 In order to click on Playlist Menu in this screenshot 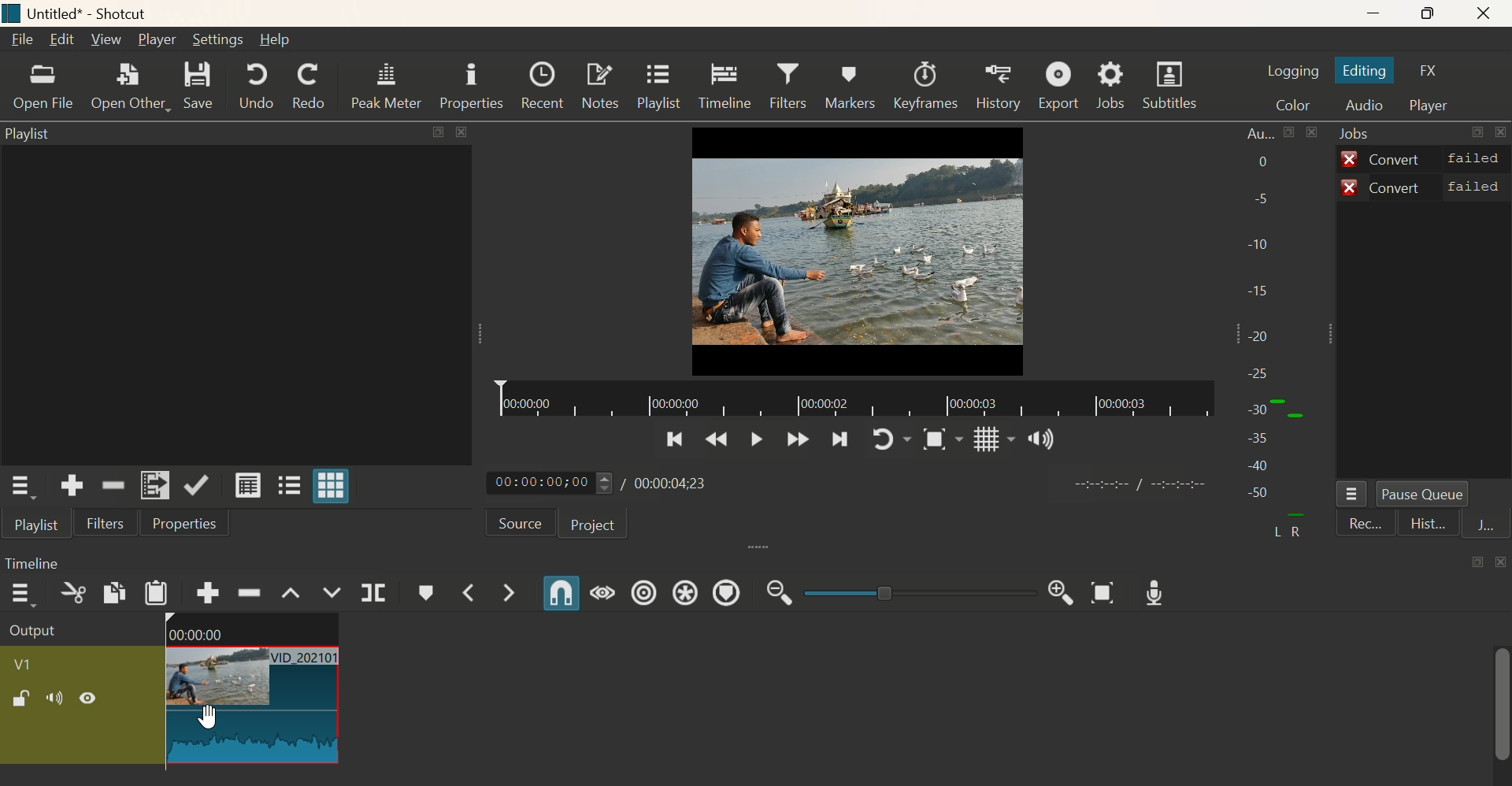, I will do `click(27, 489)`.